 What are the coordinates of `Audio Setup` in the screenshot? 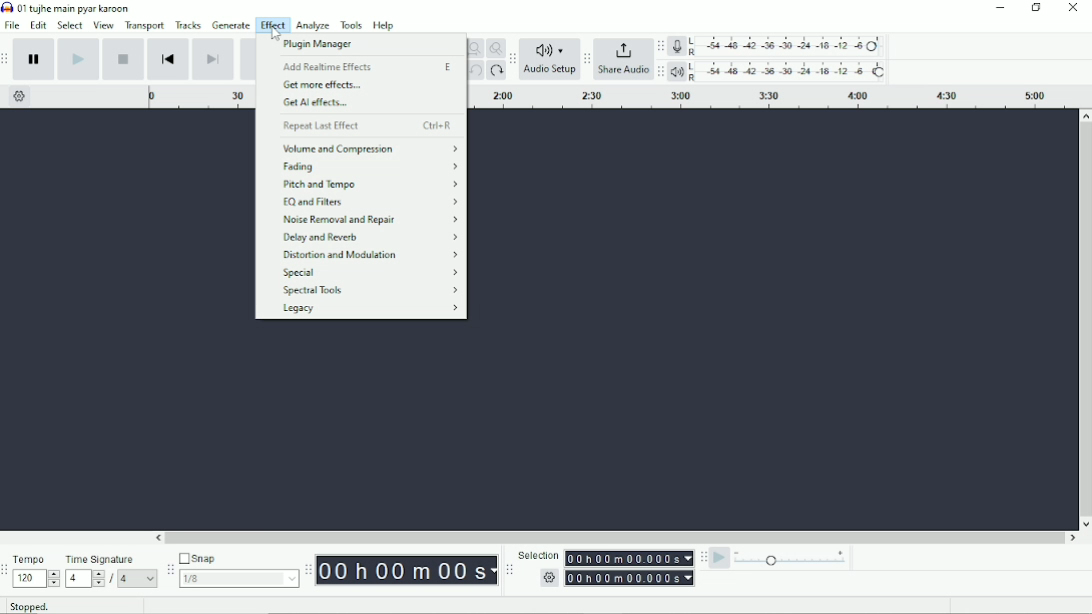 It's located at (551, 60).